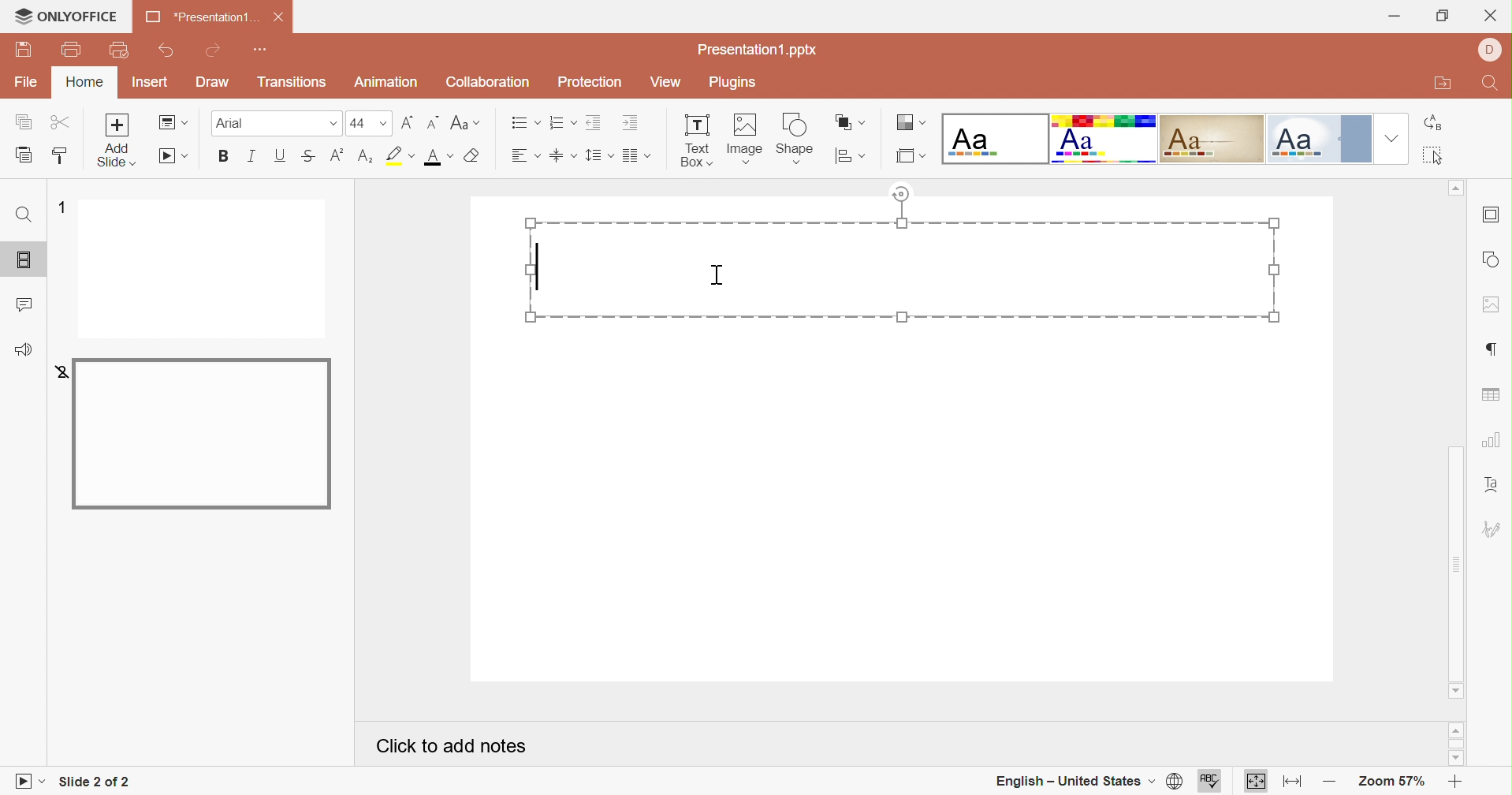  Describe the element at coordinates (562, 123) in the screenshot. I see `Numbering` at that location.